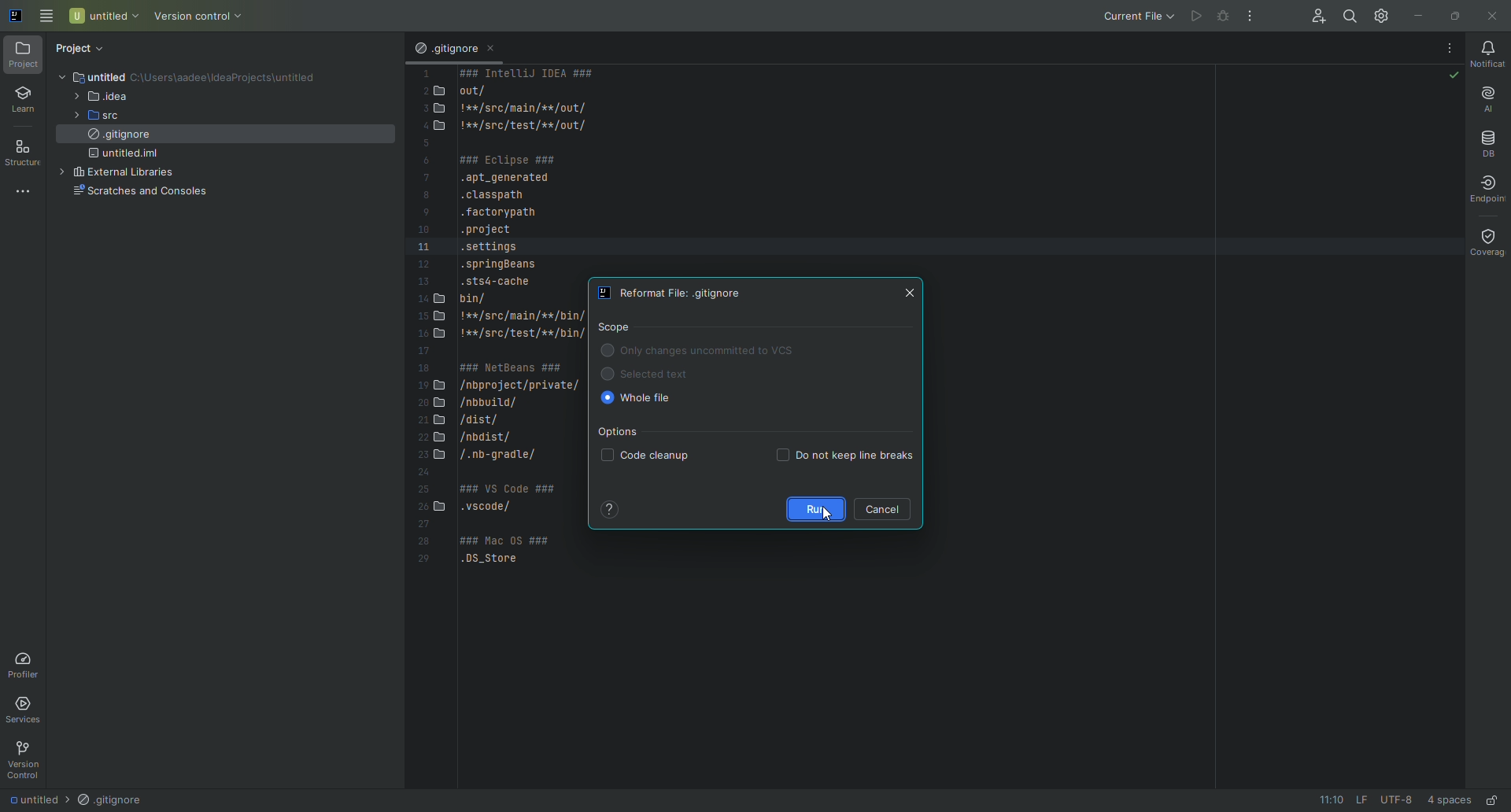  What do you see at coordinates (1488, 98) in the screenshot?
I see `AI Assistant` at bounding box center [1488, 98].